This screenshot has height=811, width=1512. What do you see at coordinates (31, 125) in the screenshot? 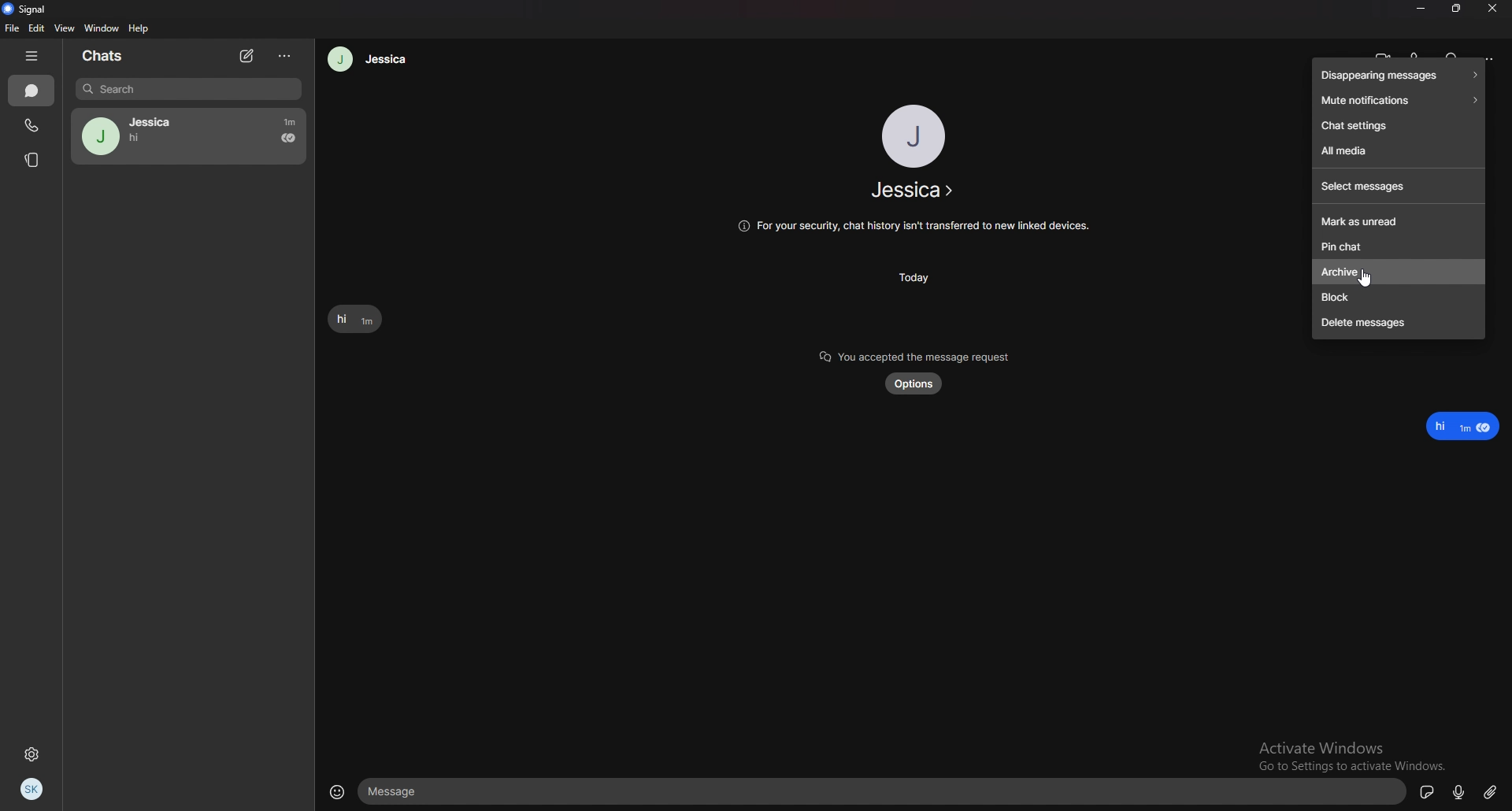
I see `Call` at bounding box center [31, 125].